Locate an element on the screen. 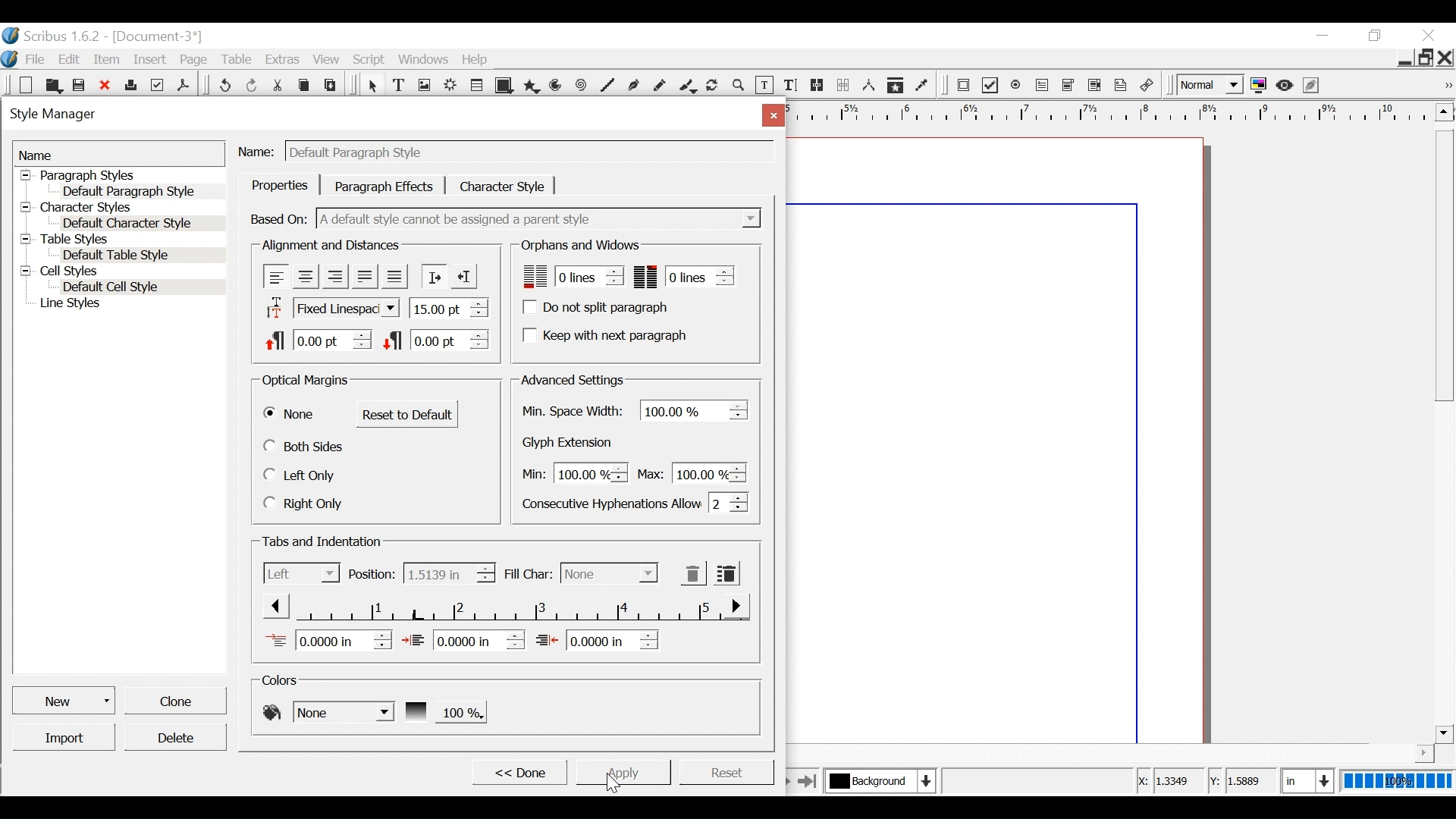 The height and width of the screenshot is (819, 1456). Character Style is located at coordinates (503, 186).